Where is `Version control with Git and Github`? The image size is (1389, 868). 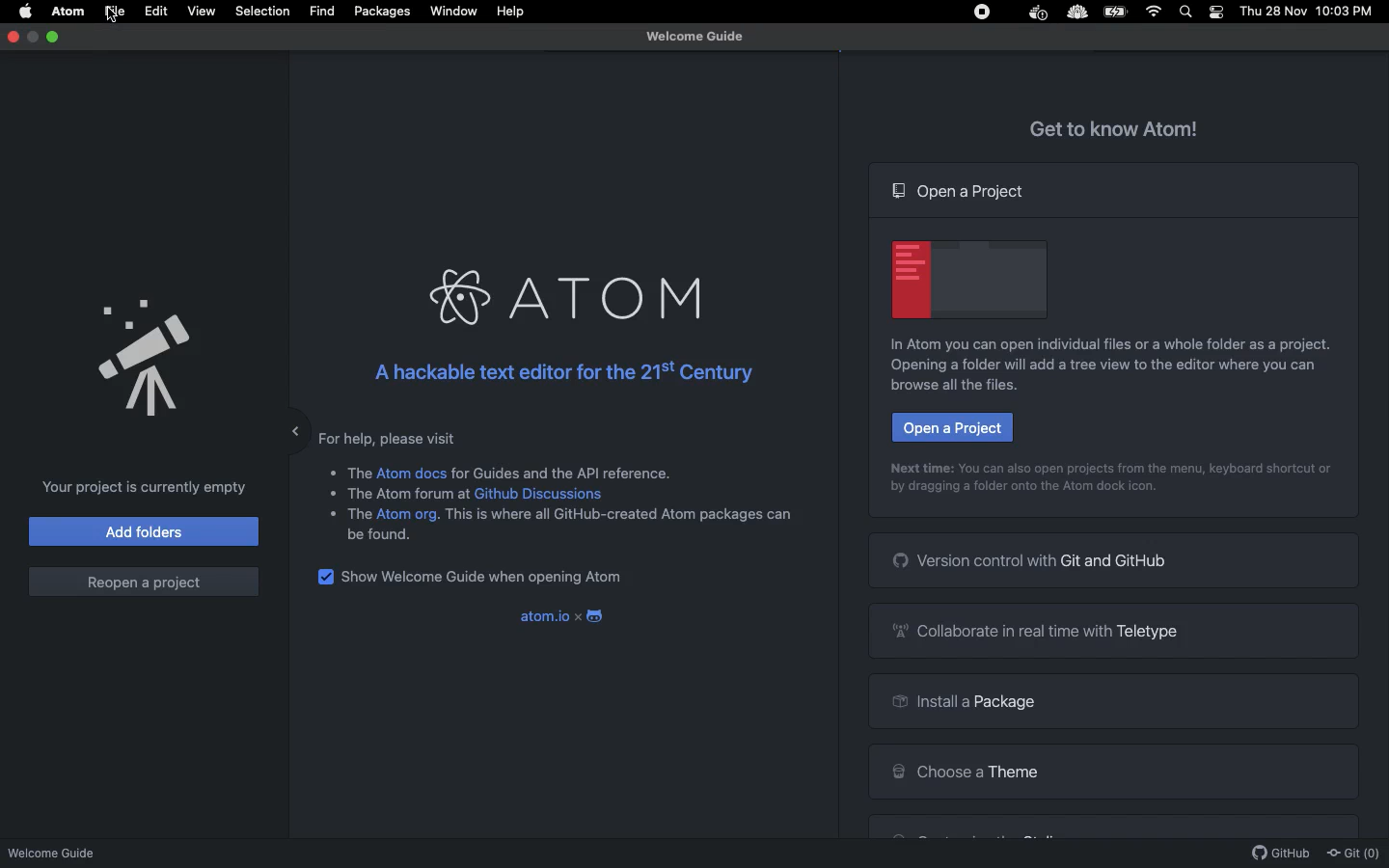 Version control with Git and Github is located at coordinates (1032, 559).